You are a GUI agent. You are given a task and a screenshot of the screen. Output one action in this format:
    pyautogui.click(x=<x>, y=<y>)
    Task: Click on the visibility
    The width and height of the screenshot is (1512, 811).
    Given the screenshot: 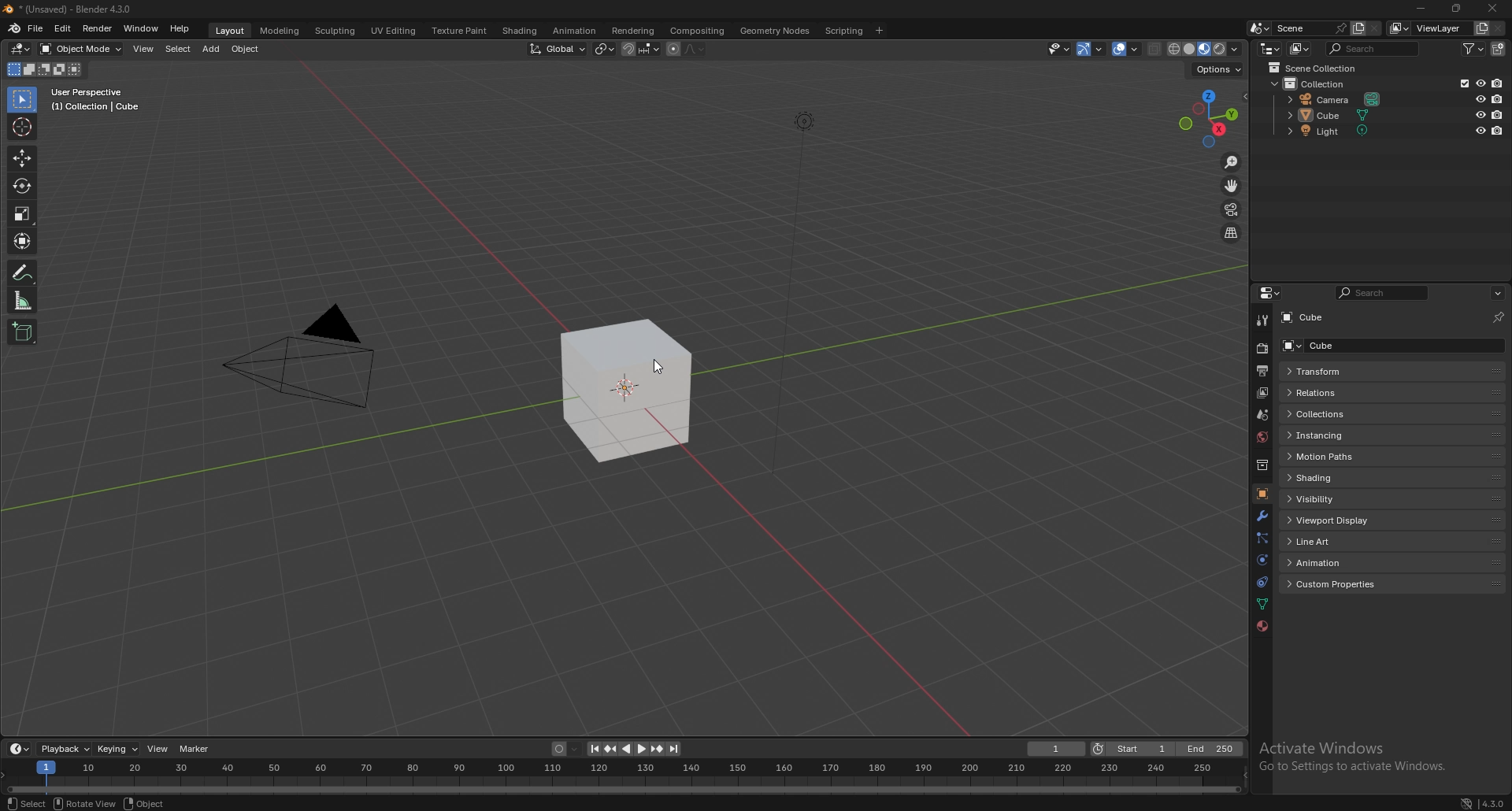 What is the action you would take?
    pyautogui.click(x=1332, y=498)
    